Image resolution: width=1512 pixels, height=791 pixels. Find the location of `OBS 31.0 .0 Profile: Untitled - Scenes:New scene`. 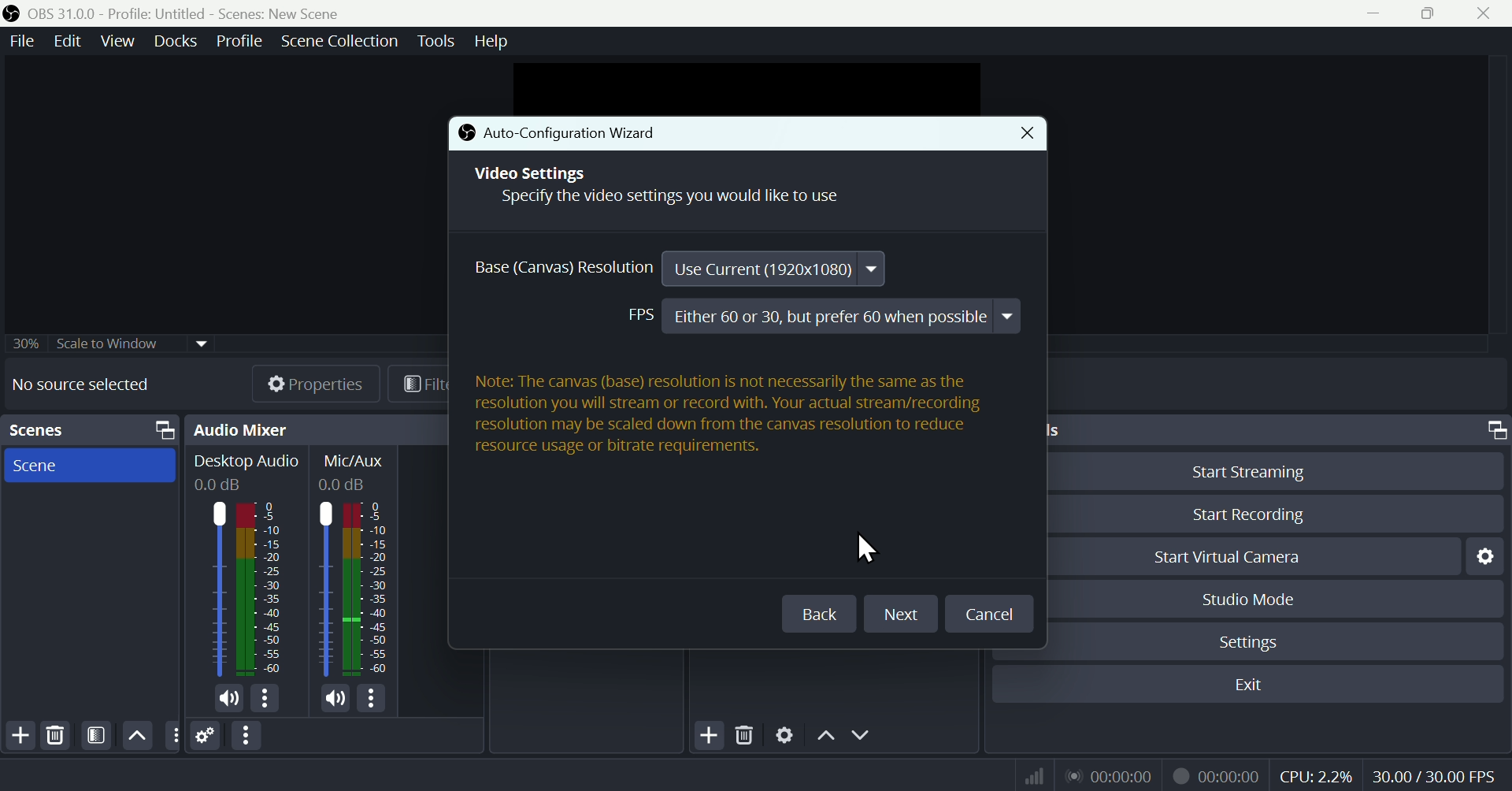

OBS 31.0 .0 Profile: Untitled - Scenes:New scene is located at coordinates (187, 13).